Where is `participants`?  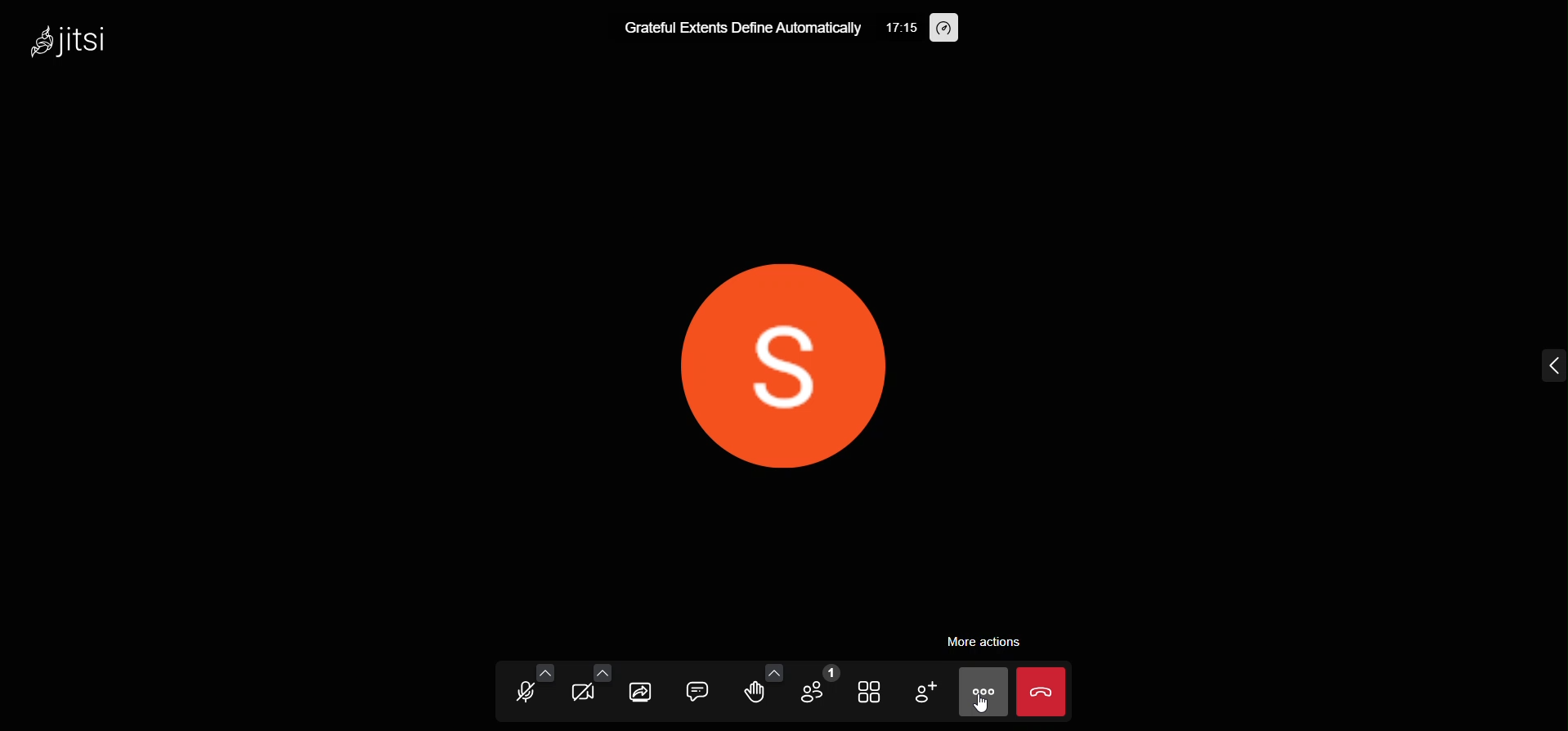 participants is located at coordinates (814, 686).